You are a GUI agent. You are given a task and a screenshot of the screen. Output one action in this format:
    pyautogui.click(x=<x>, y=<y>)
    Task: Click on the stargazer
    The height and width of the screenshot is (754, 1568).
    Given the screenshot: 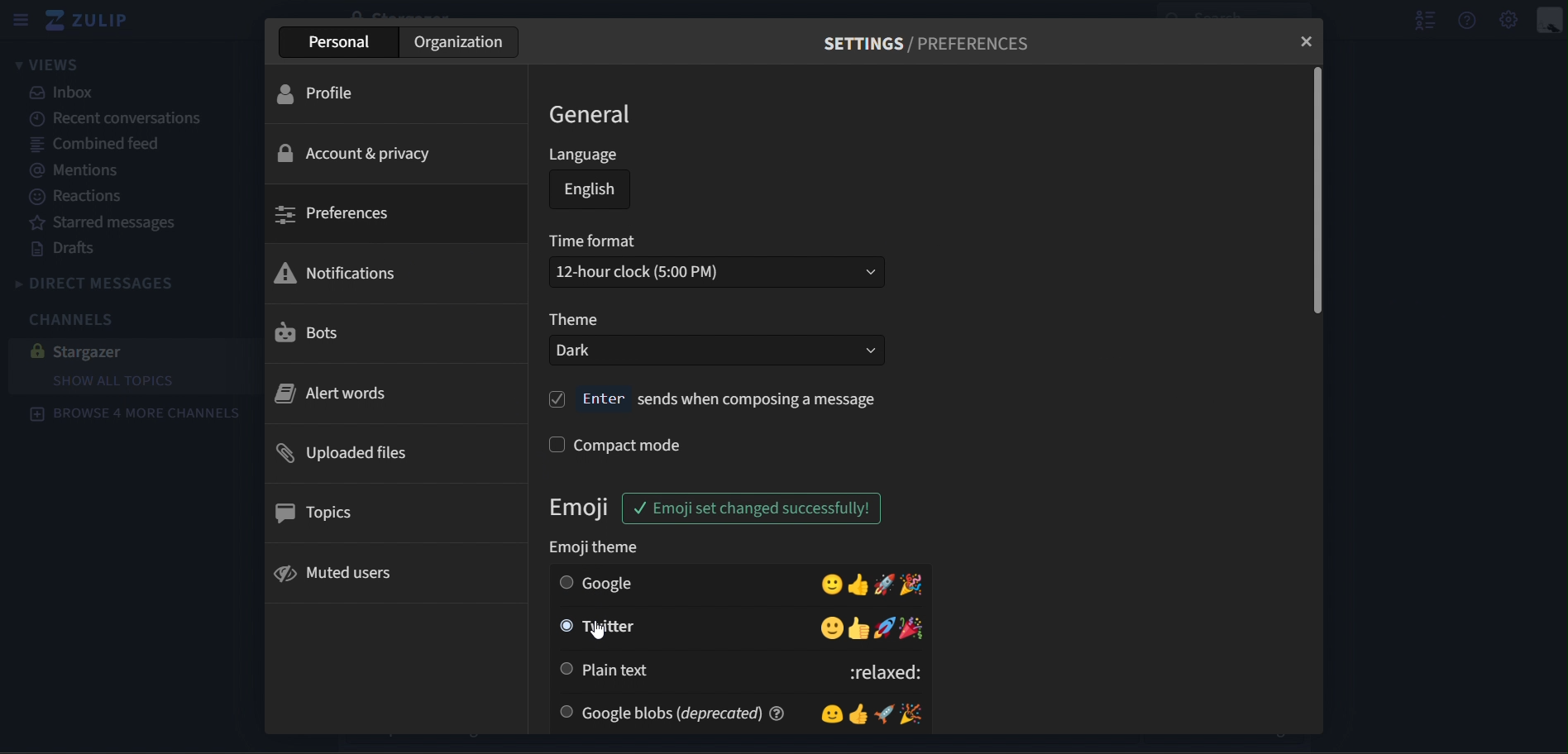 What is the action you would take?
    pyautogui.click(x=122, y=351)
    